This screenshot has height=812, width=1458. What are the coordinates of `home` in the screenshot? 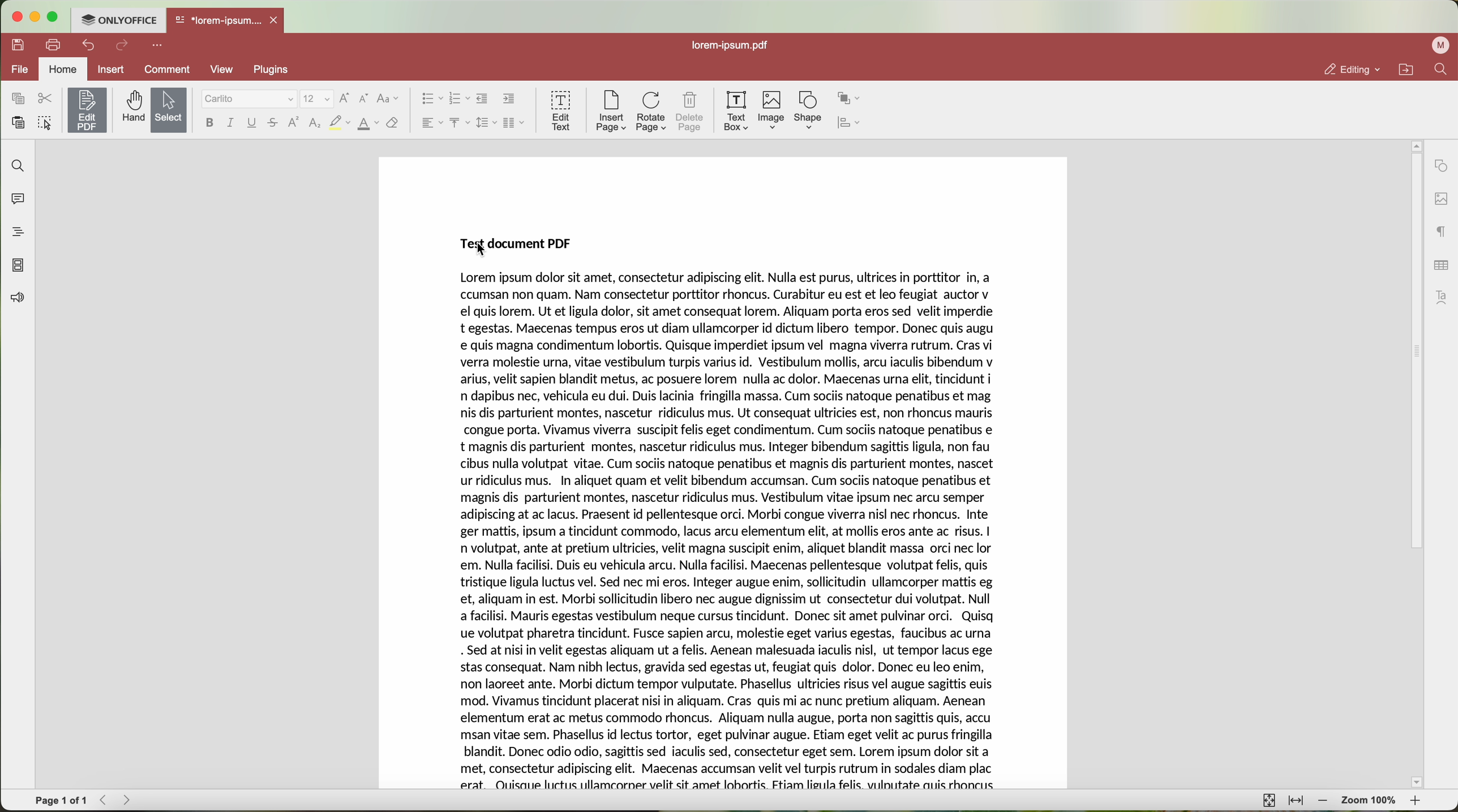 It's located at (64, 69).